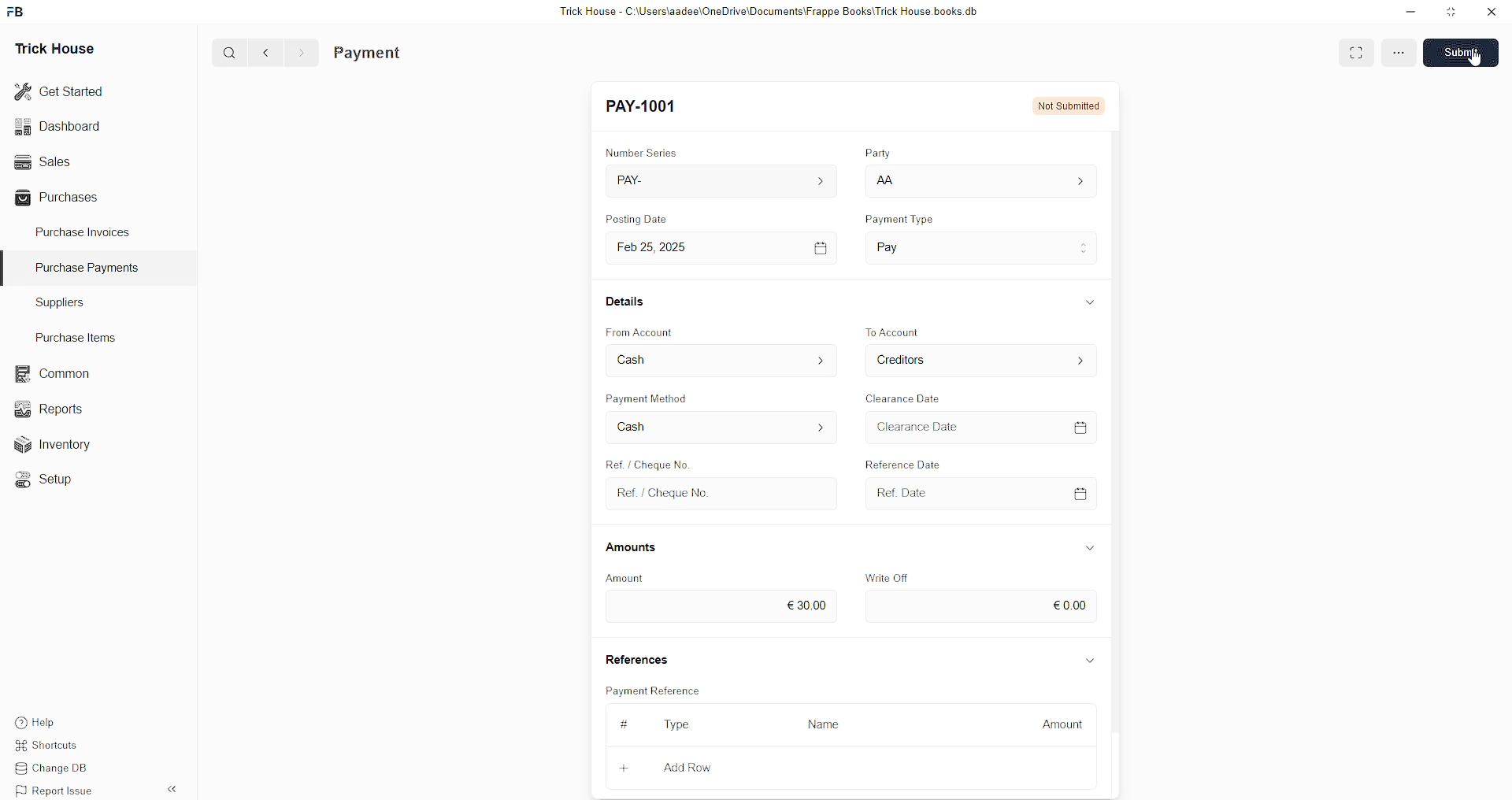  Describe the element at coordinates (18, 10) in the screenshot. I see `FB` at that location.